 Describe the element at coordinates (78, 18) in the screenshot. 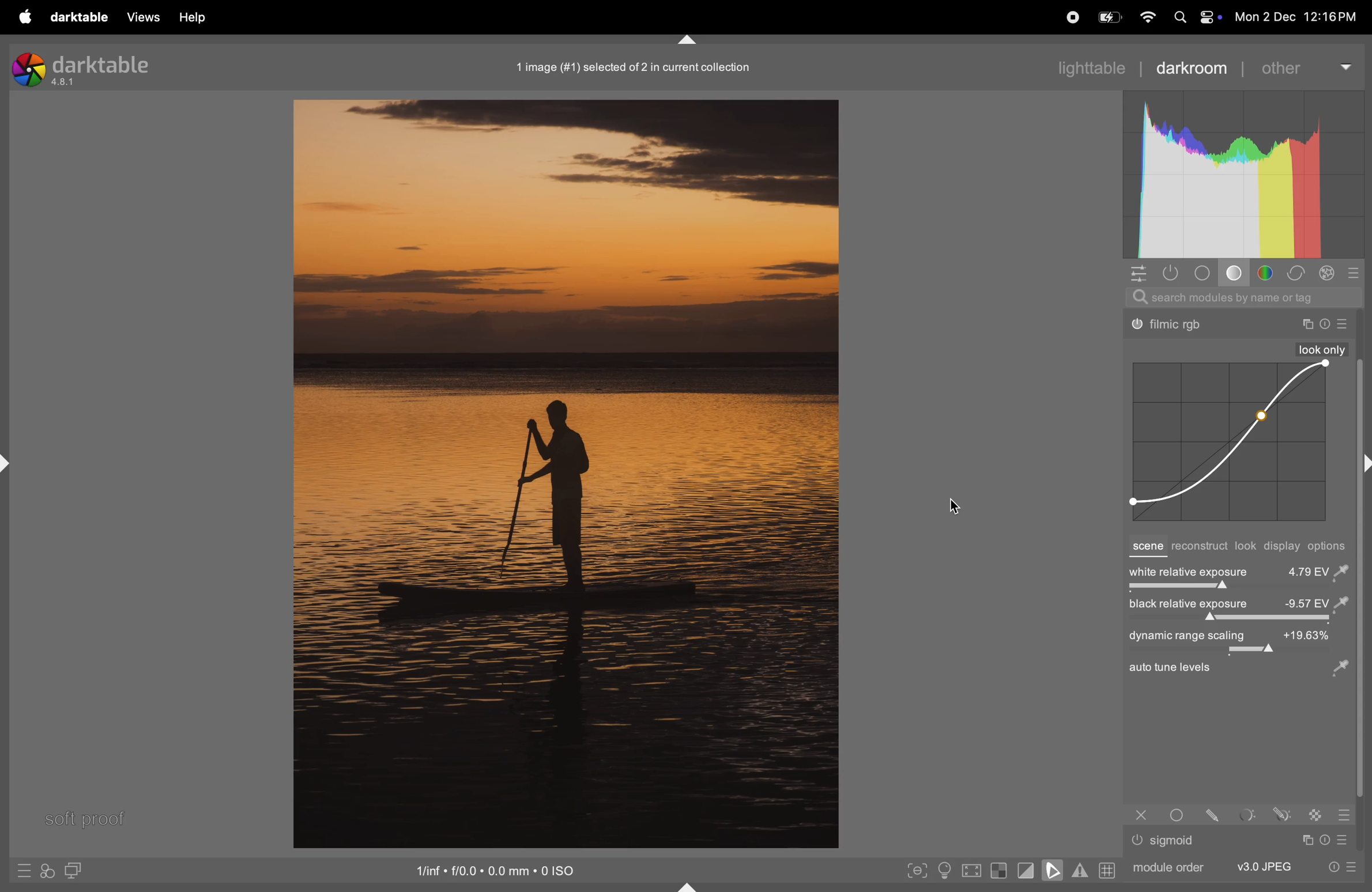

I see `darktable` at that location.